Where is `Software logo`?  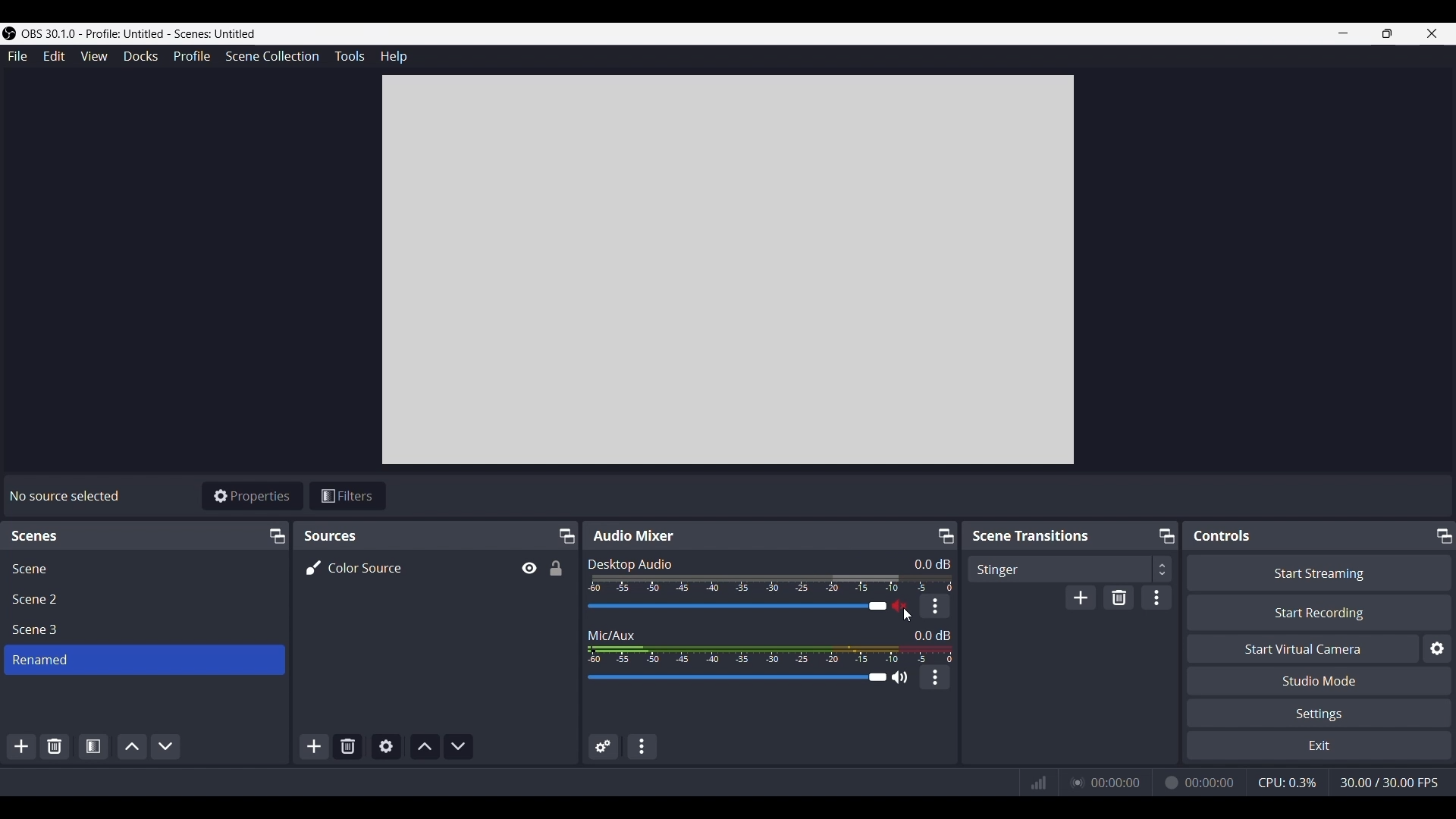 Software logo is located at coordinates (9, 33).